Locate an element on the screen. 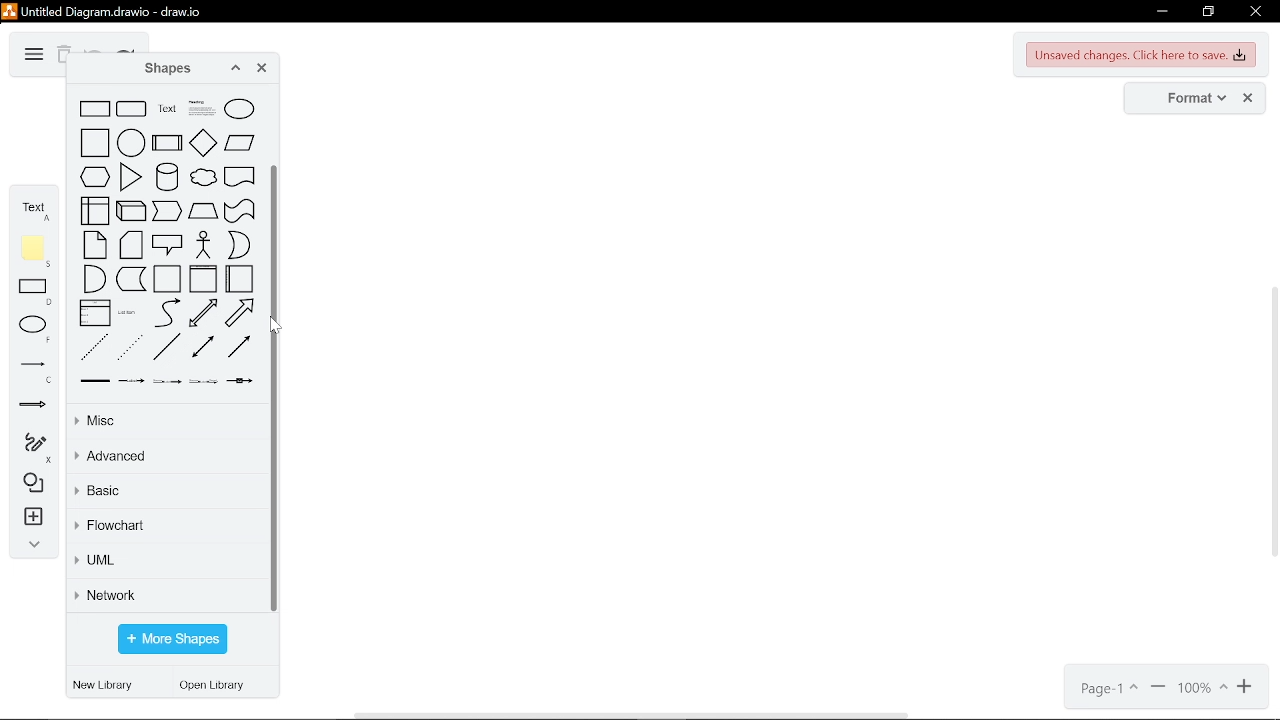 This screenshot has height=720, width=1280. close is located at coordinates (1254, 13).